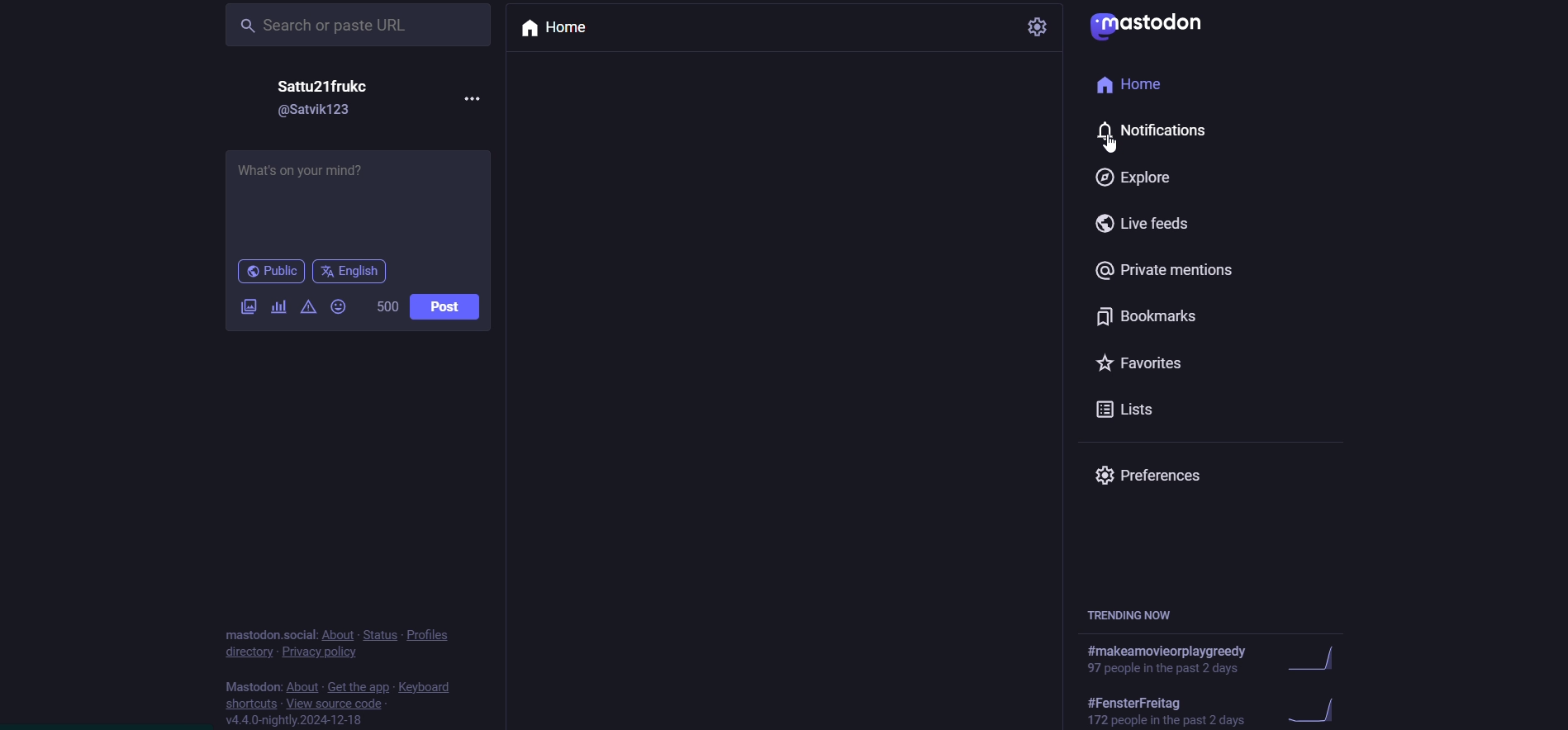 The image size is (1568, 730). Describe the element at coordinates (1133, 84) in the screenshot. I see `Home` at that location.